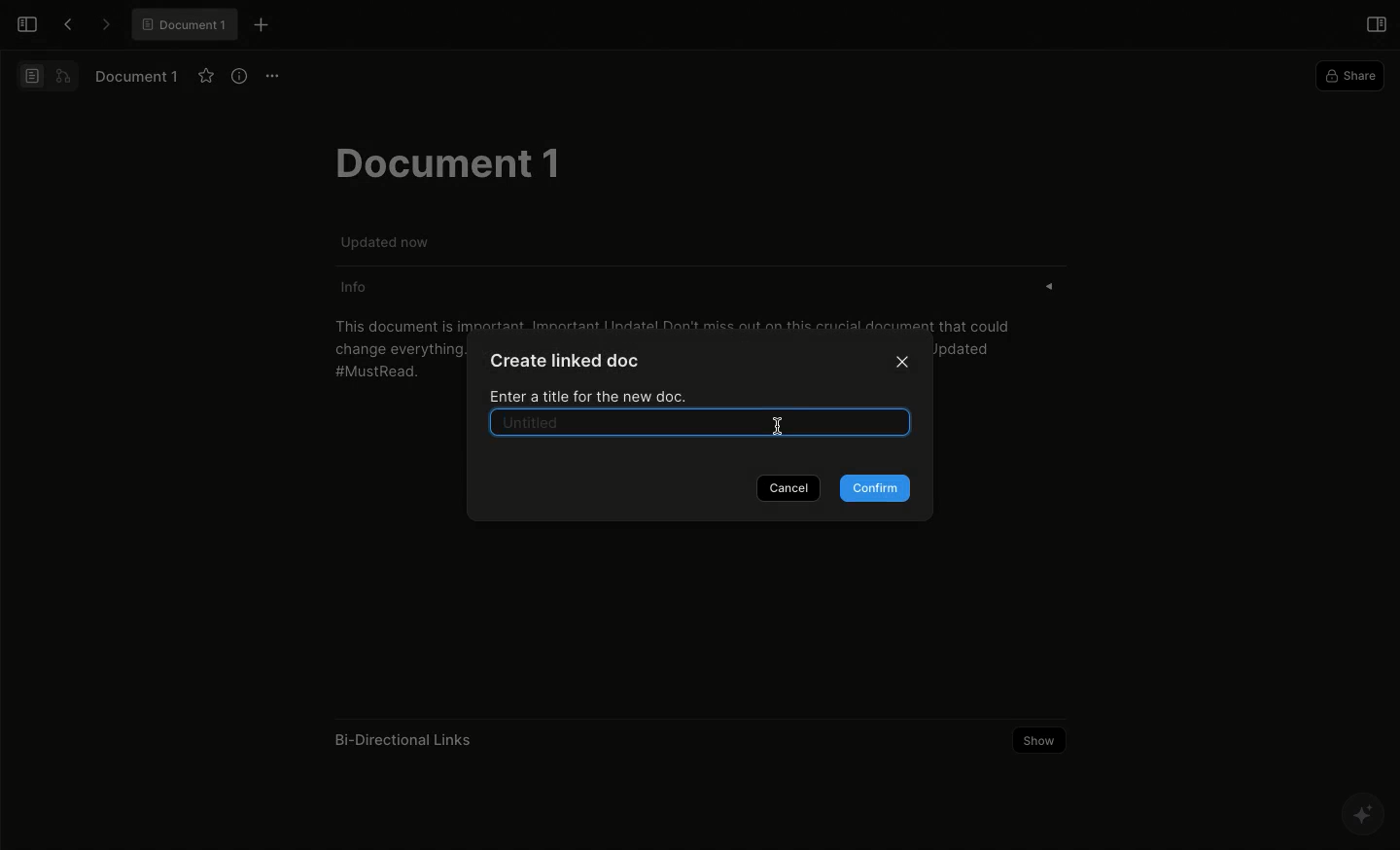 This screenshot has width=1400, height=850. I want to click on Cursor, so click(780, 429).